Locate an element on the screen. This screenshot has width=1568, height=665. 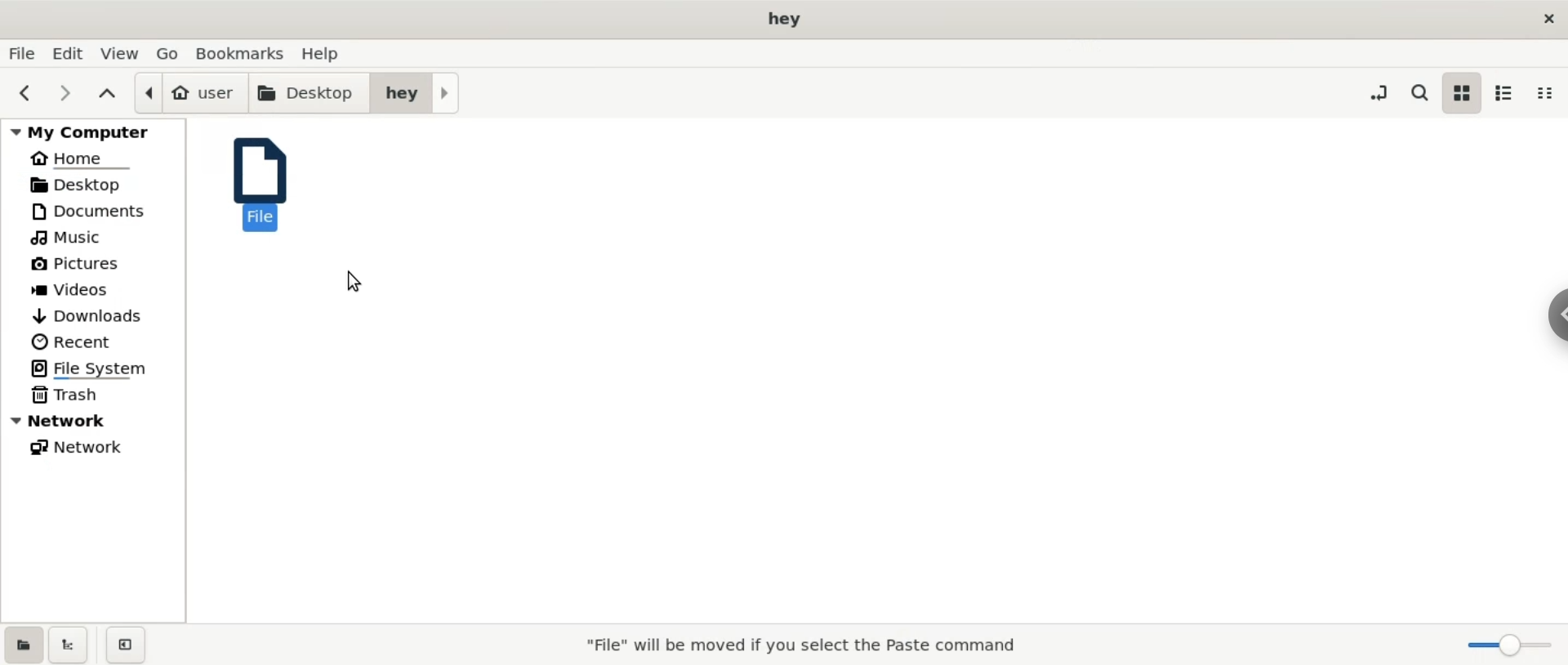
user is located at coordinates (185, 91).